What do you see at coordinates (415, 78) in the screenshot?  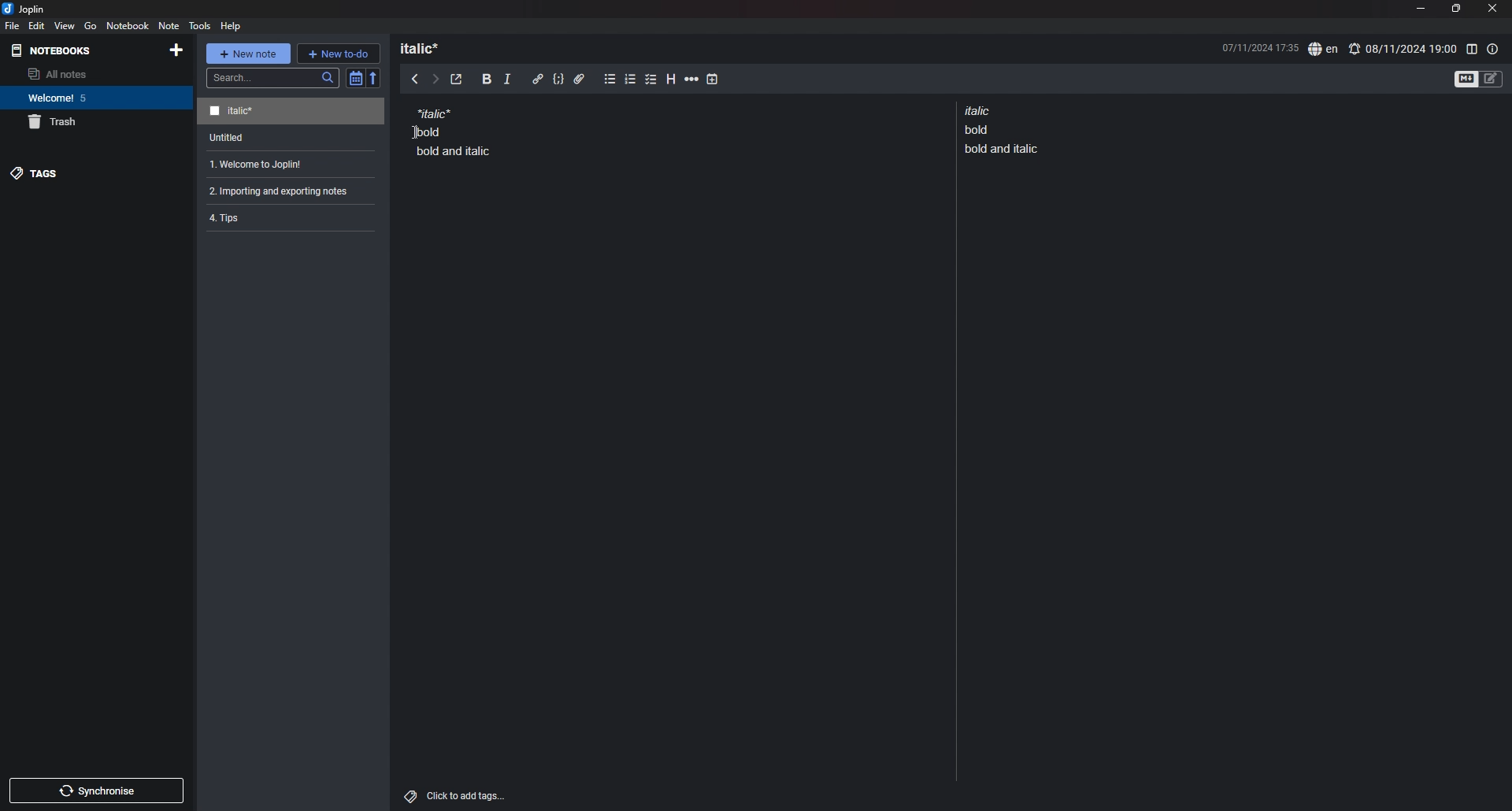 I see `previous` at bounding box center [415, 78].